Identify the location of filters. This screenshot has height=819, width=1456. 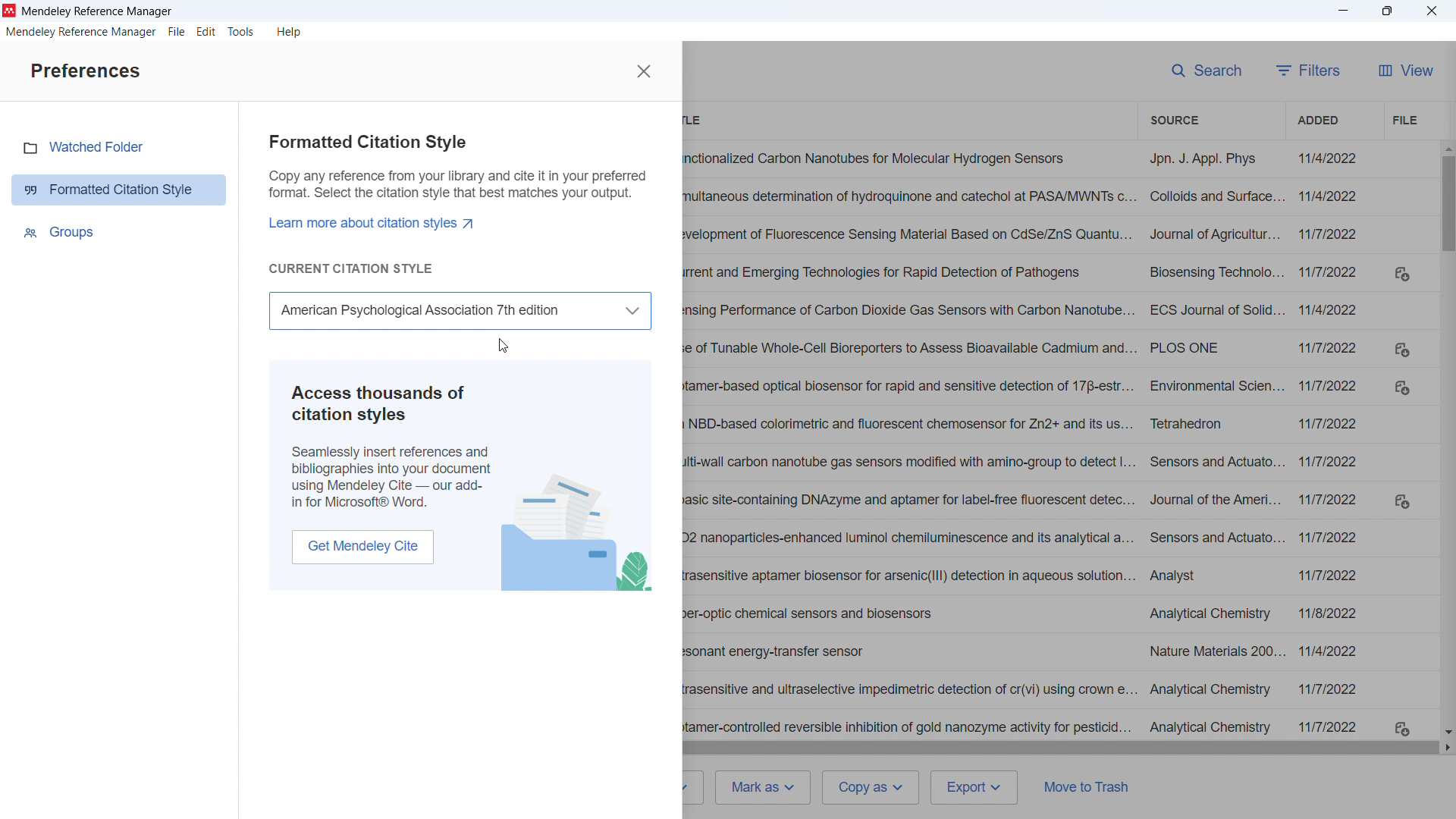
(1309, 71).